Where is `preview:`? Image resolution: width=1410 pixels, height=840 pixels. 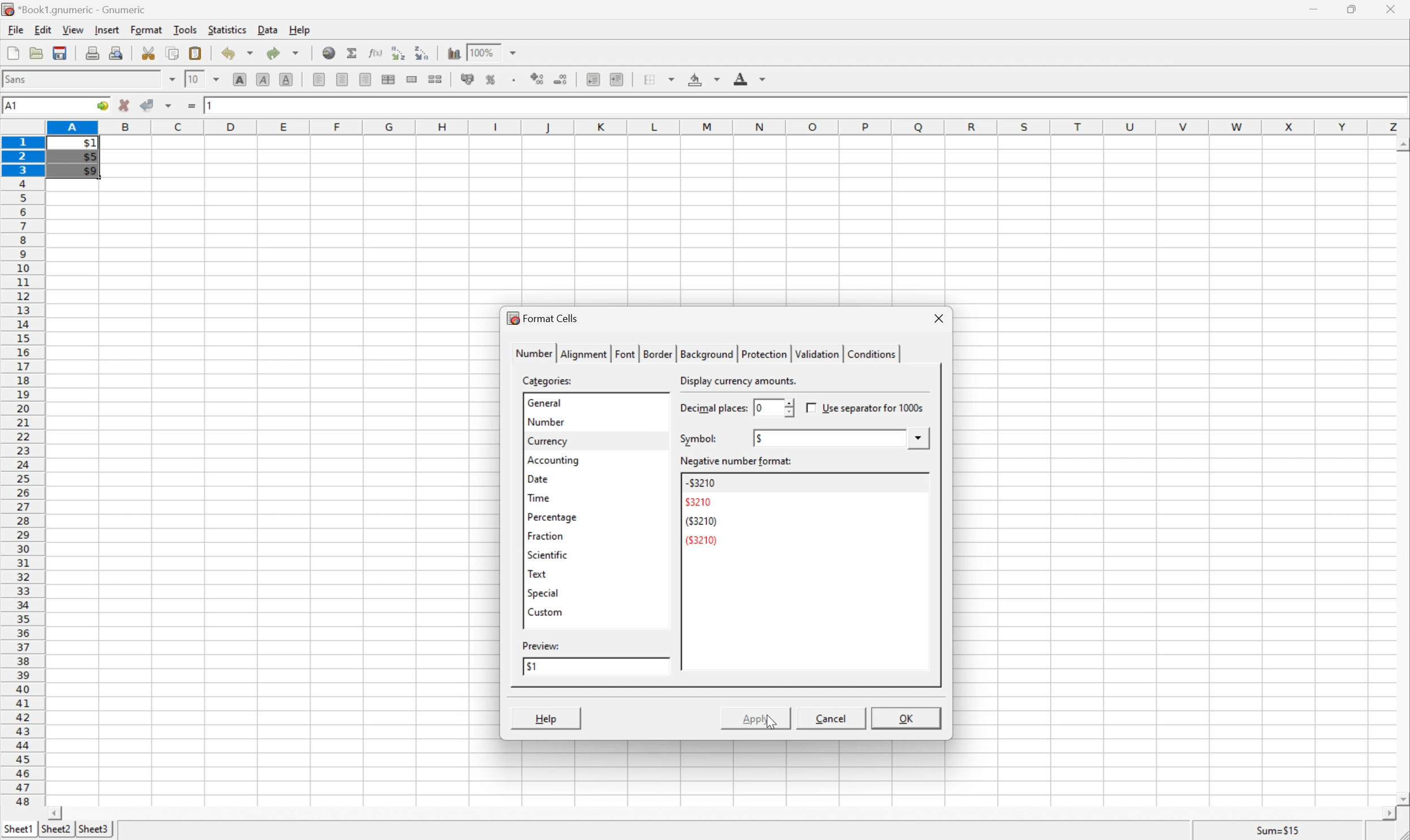 preview: is located at coordinates (542, 645).